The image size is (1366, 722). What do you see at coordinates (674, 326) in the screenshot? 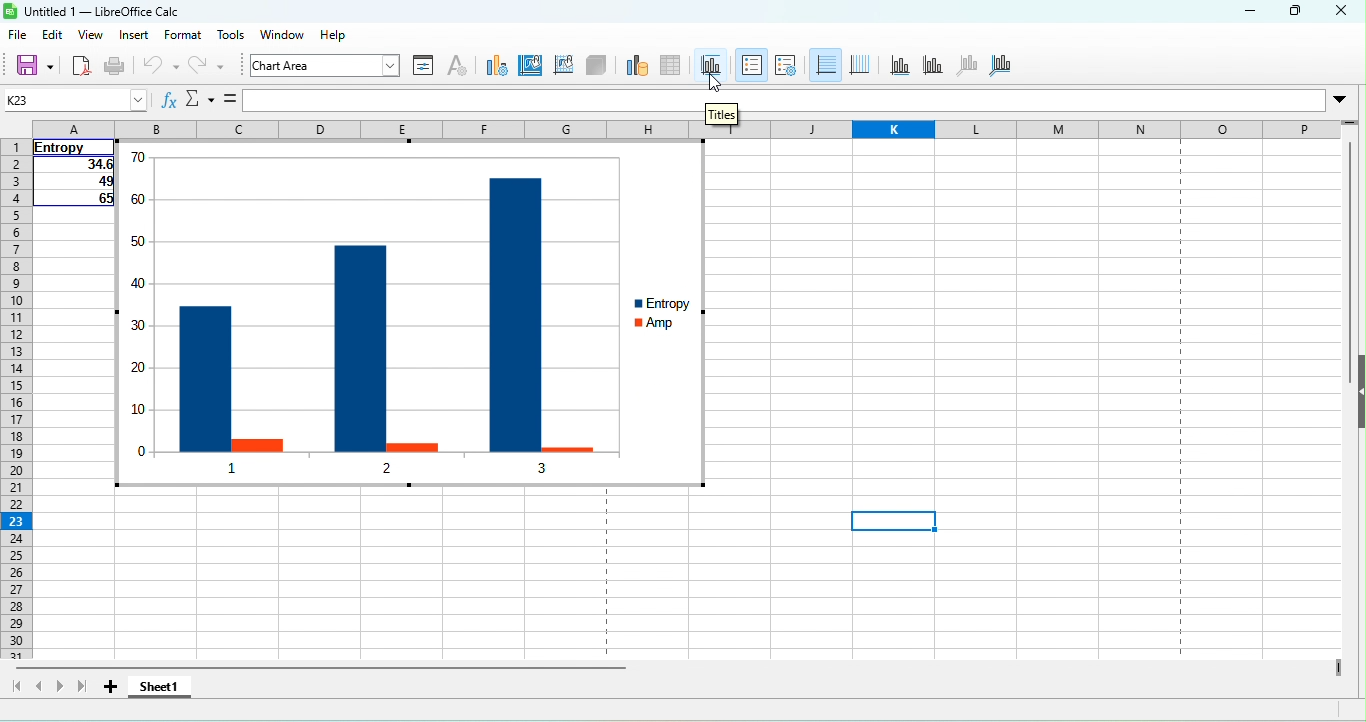
I see `amp` at bounding box center [674, 326].